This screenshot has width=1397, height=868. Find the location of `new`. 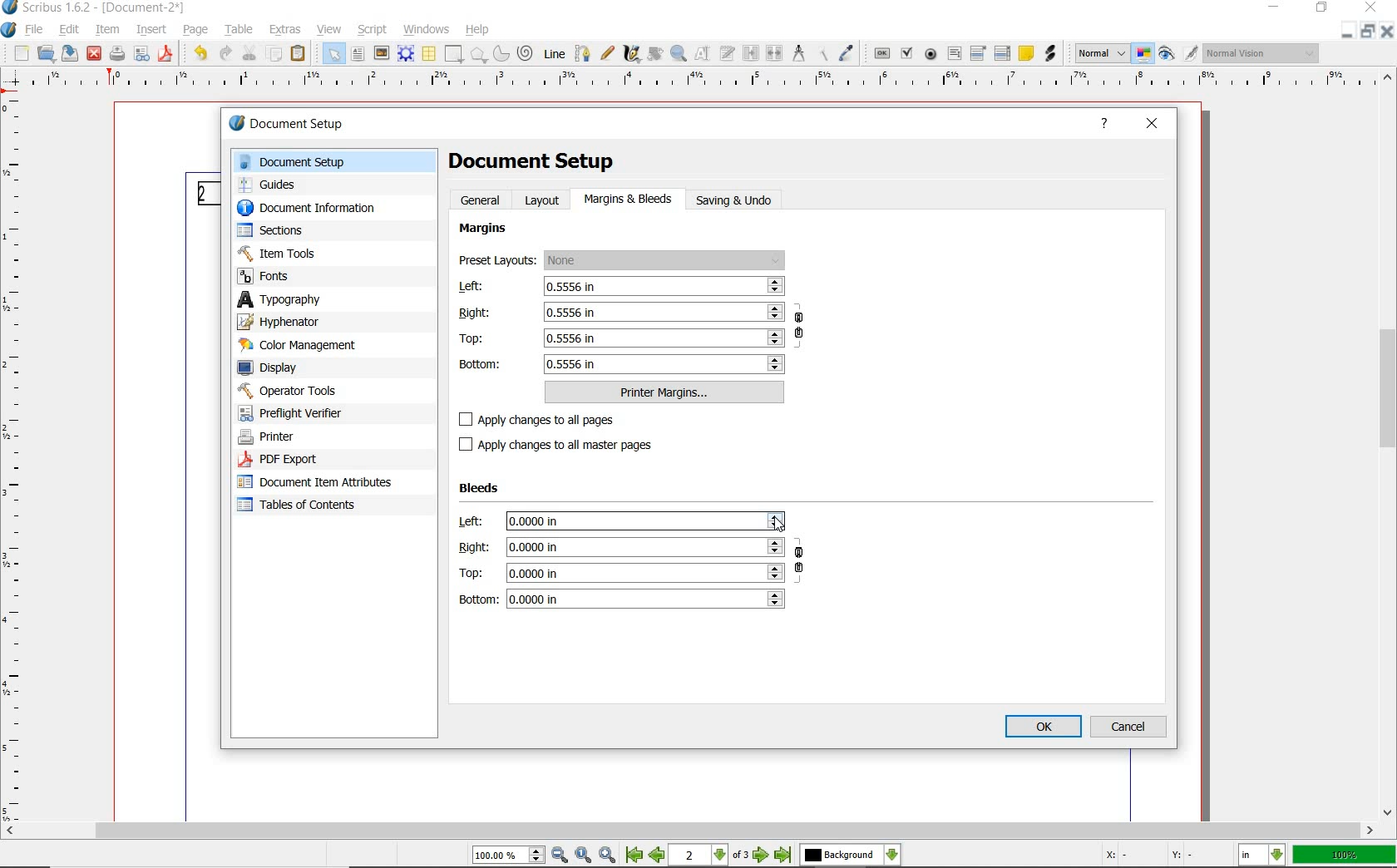

new is located at coordinates (22, 54).